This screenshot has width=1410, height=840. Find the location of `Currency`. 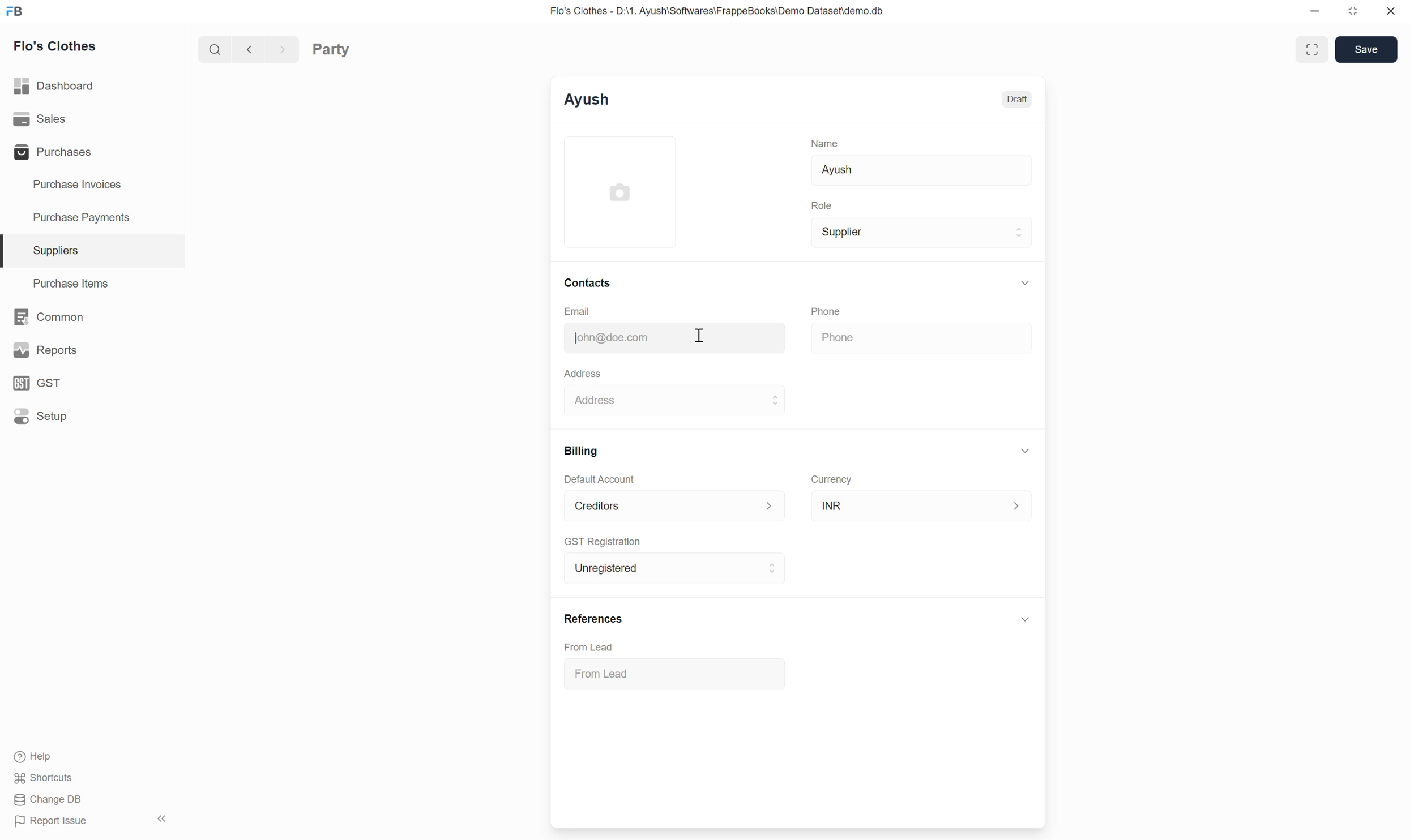

Currency is located at coordinates (832, 480).